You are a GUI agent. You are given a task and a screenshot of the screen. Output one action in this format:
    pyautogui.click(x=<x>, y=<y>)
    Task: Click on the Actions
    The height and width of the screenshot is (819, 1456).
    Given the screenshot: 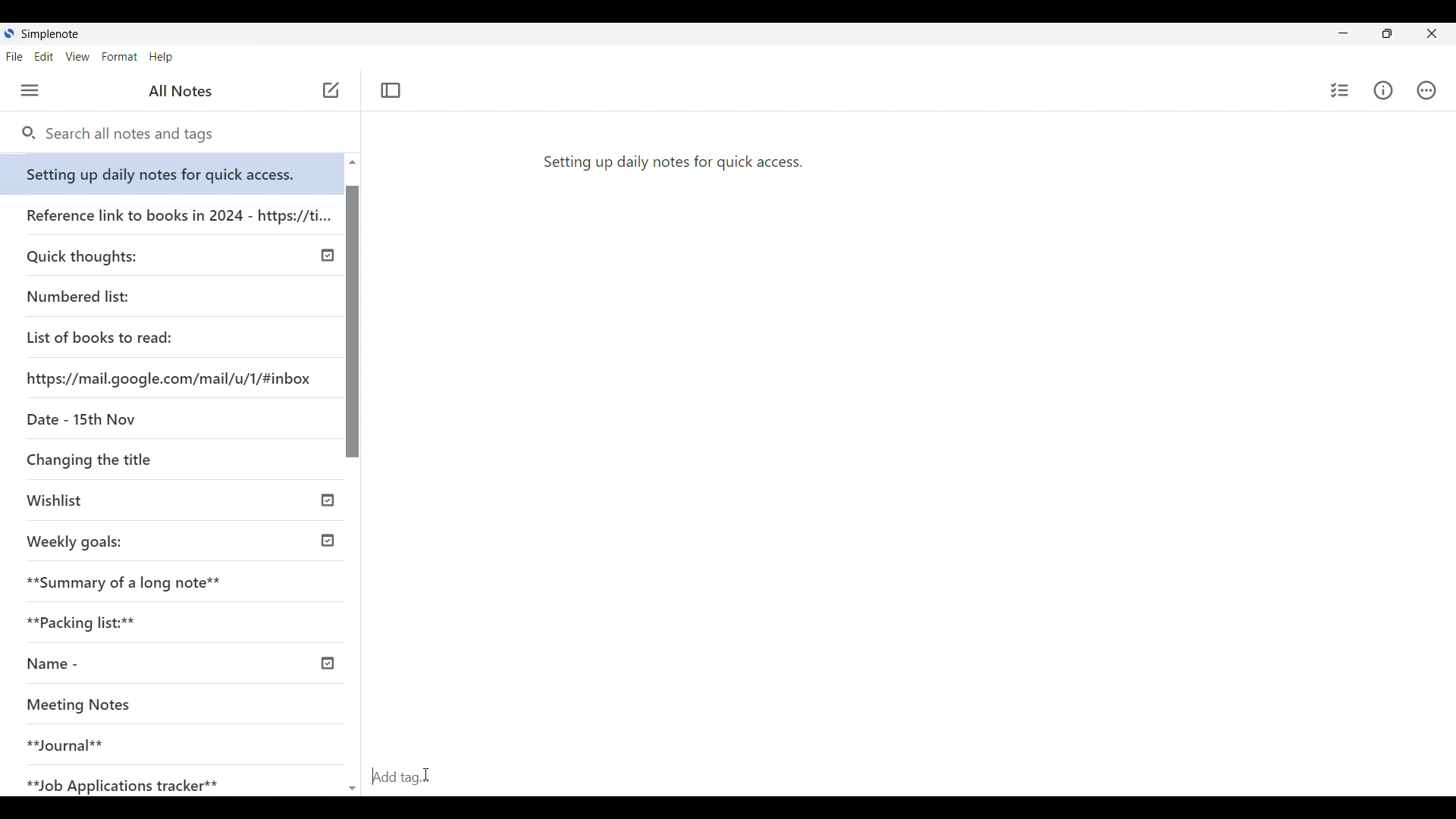 What is the action you would take?
    pyautogui.click(x=1429, y=90)
    